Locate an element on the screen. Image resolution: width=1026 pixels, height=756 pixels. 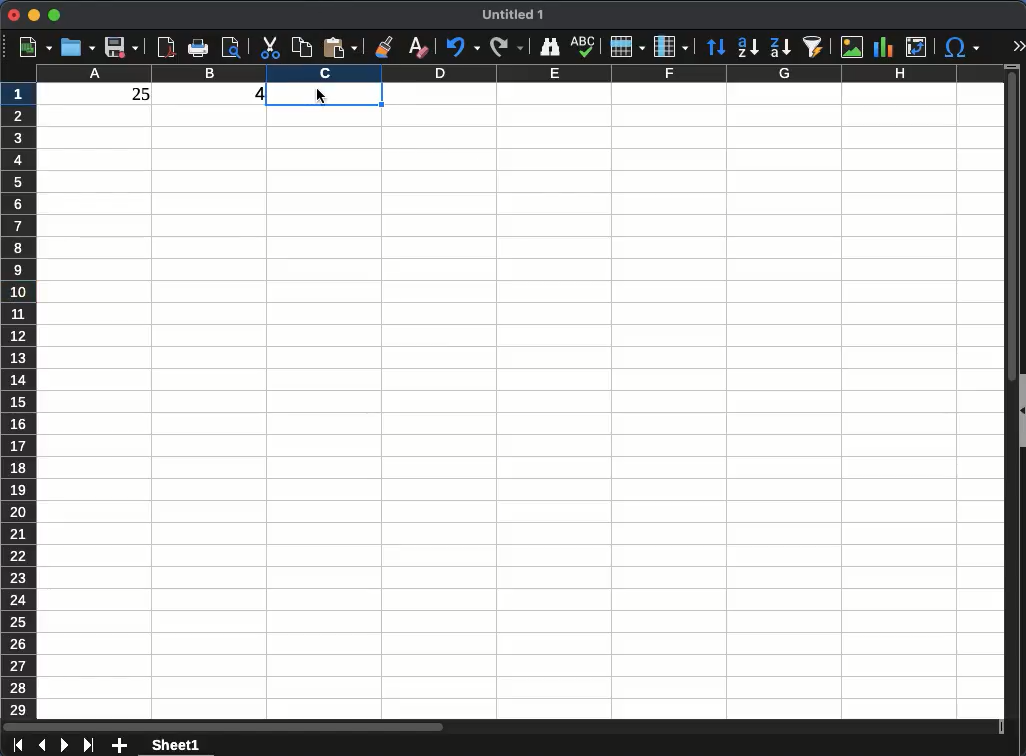
sheet 1 is located at coordinates (176, 744).